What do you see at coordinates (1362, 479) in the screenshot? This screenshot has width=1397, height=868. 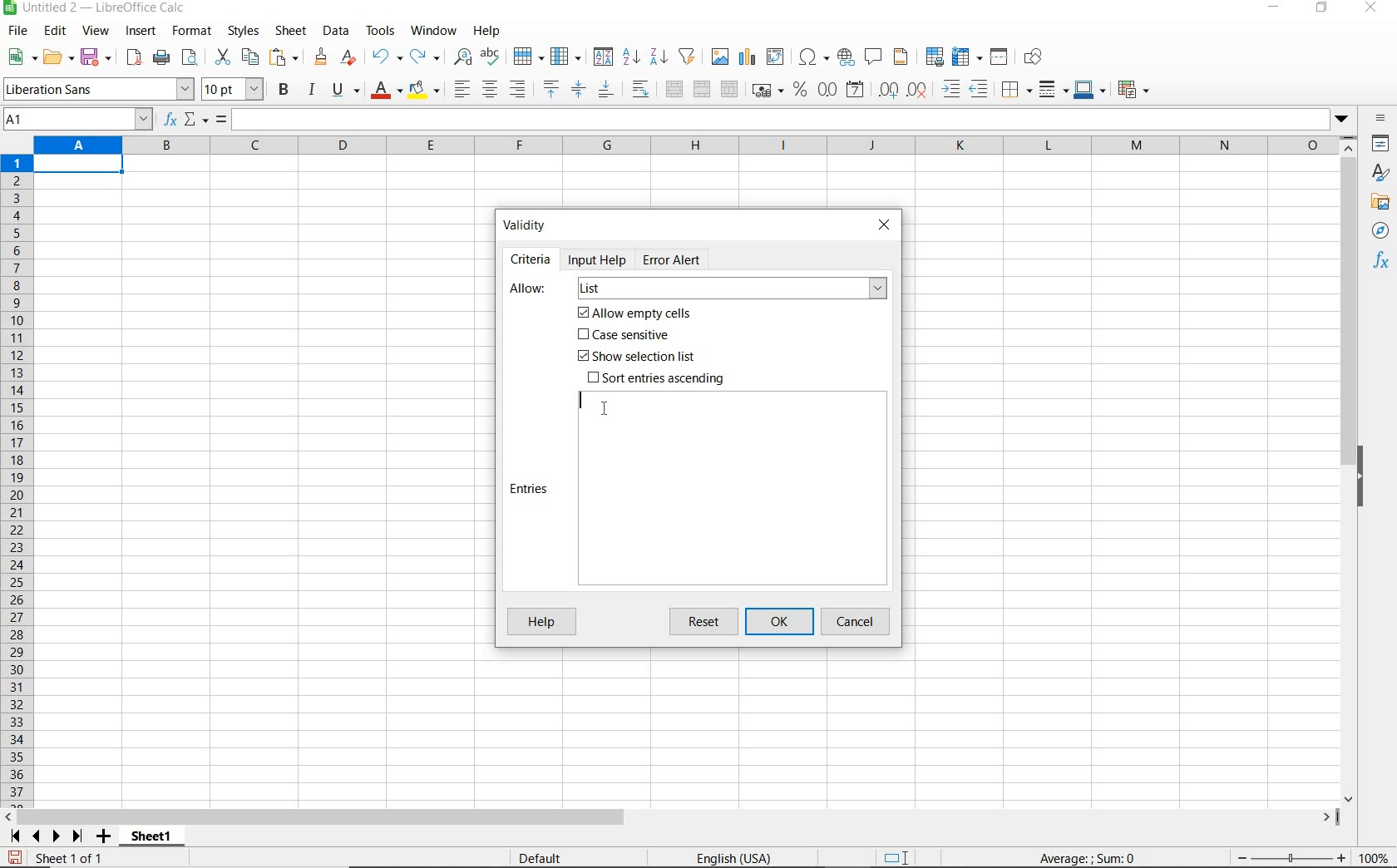 I see `hide` at bounding box center [1362, 479].